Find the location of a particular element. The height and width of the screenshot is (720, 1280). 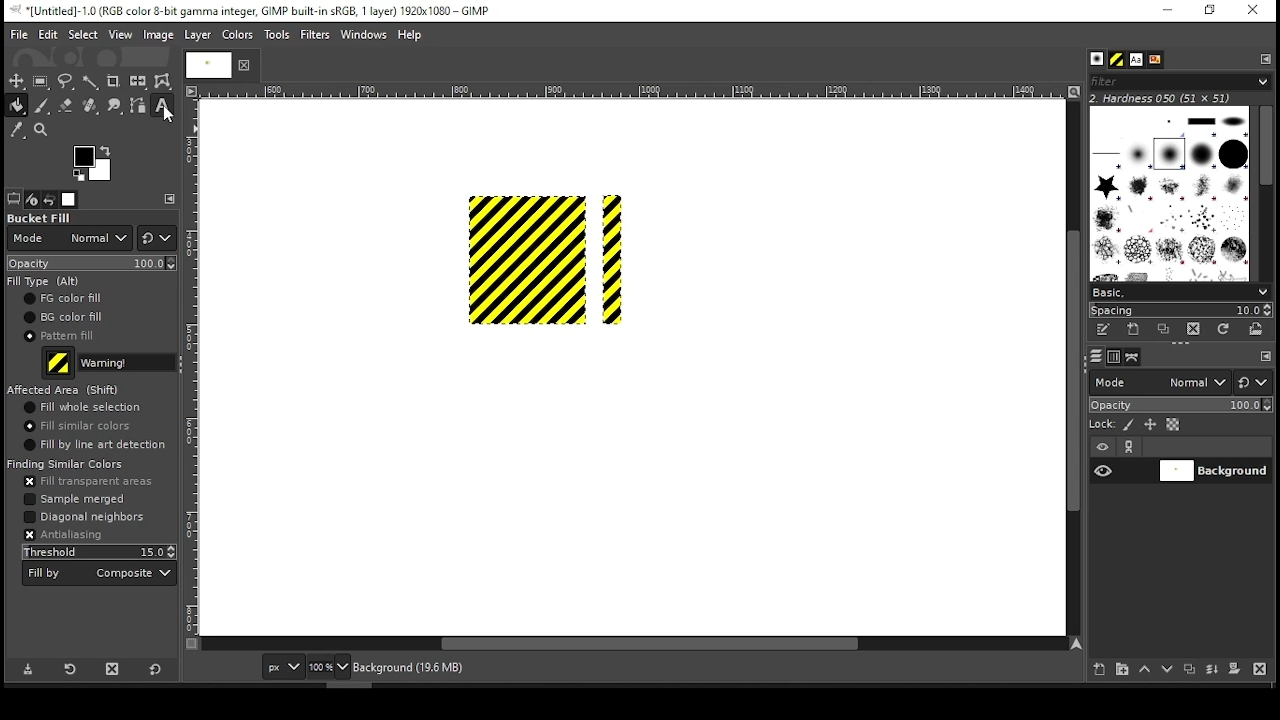

configure this tab is located at coordinates (172, 199).